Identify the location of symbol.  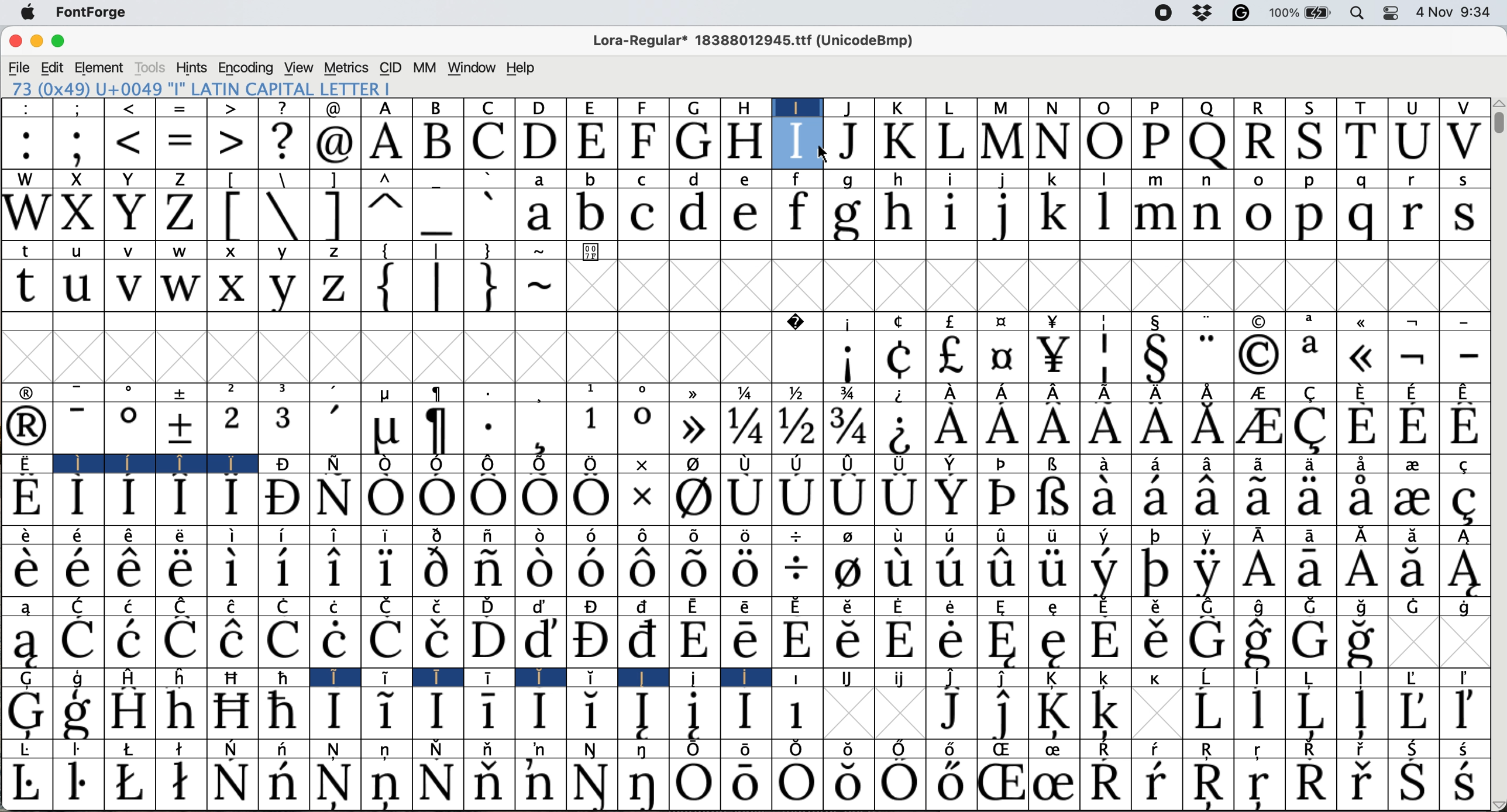
(29, 391).